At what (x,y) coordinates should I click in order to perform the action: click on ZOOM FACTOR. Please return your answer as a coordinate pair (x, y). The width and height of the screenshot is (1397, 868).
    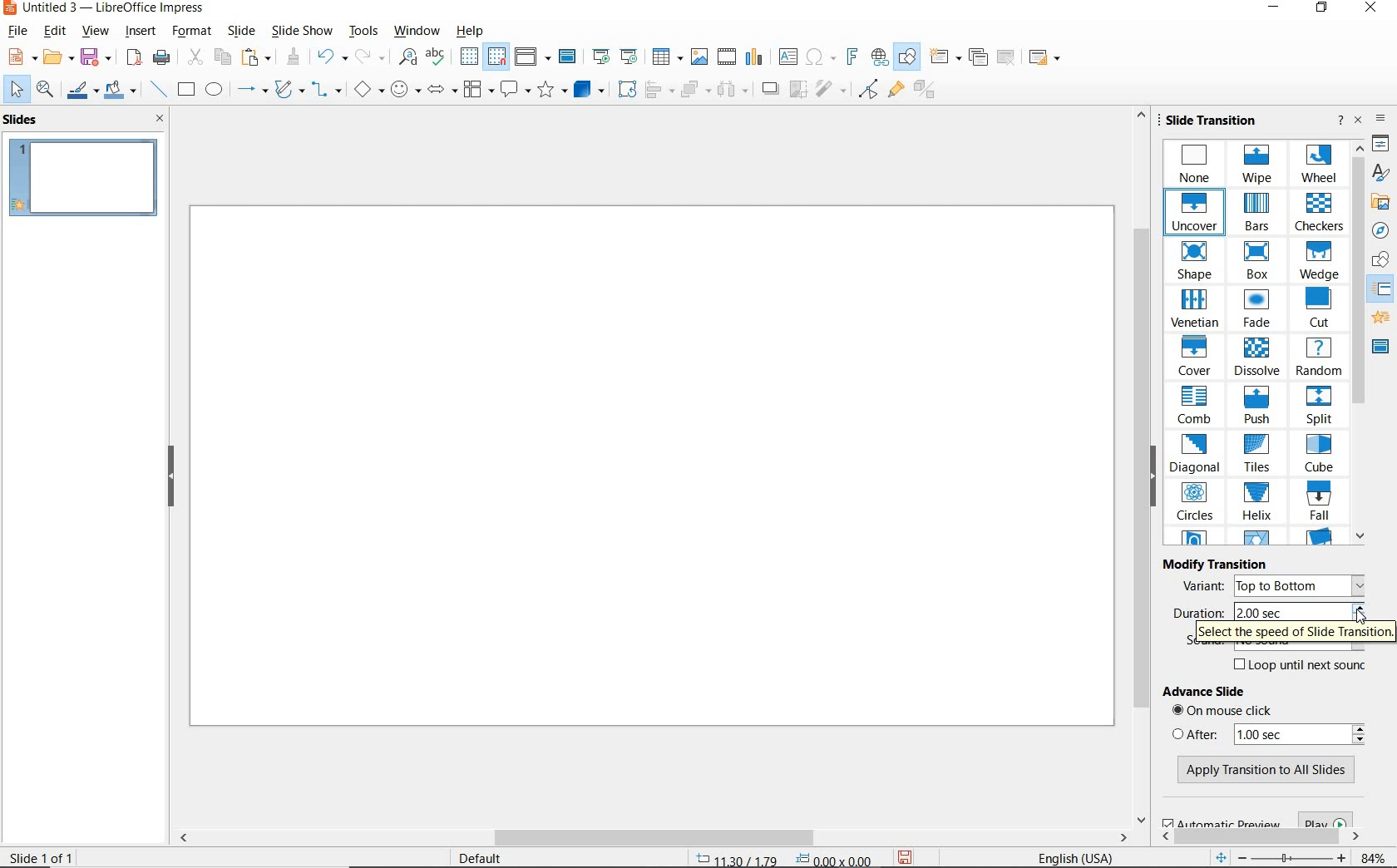
    Looking at the image, I should click on (1375, 856).